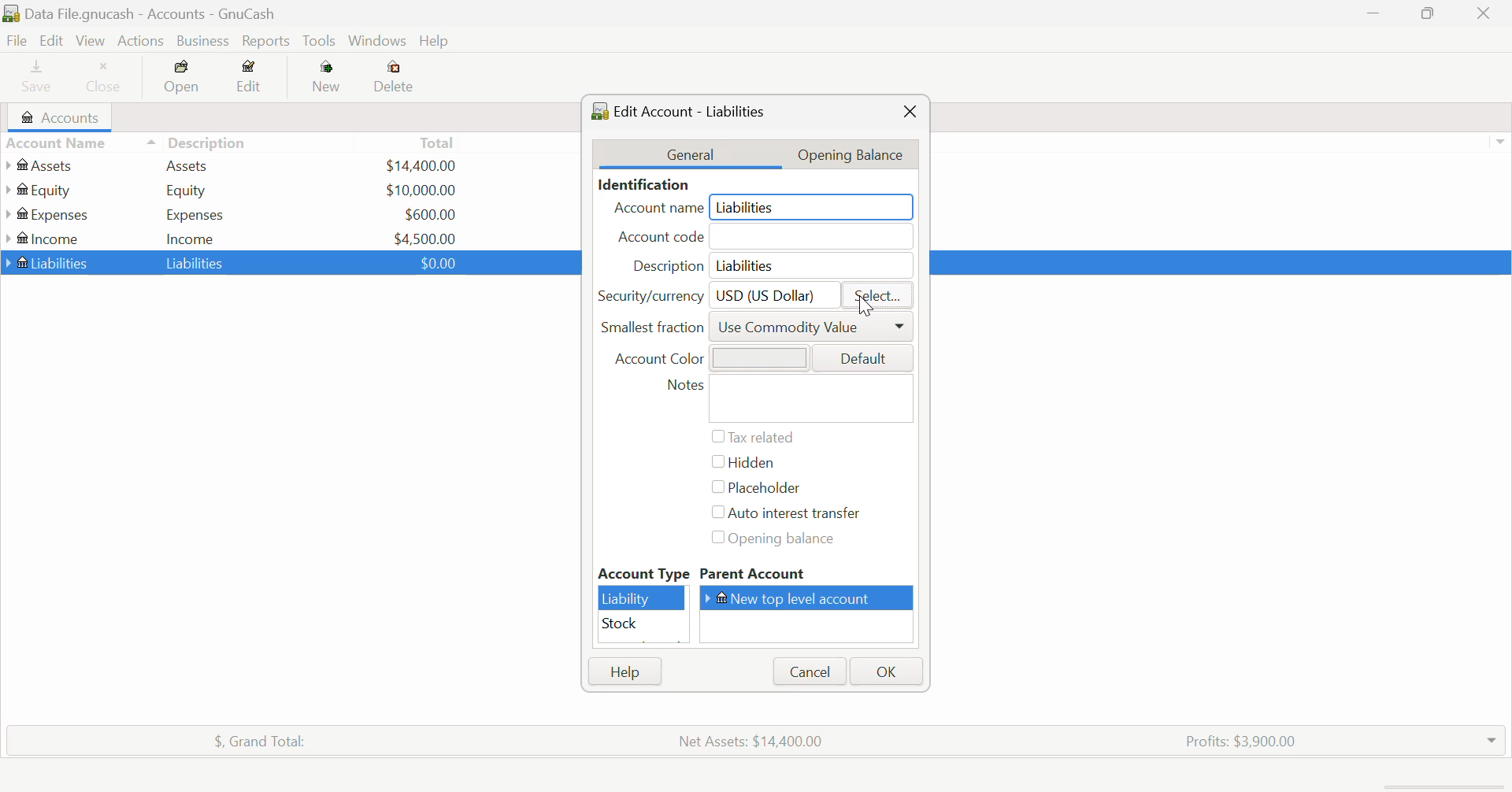  What do you see at coordinates (860, 154) in the screenshot?
I see `Opening Balance Tab` at bounding box center [860, 154].